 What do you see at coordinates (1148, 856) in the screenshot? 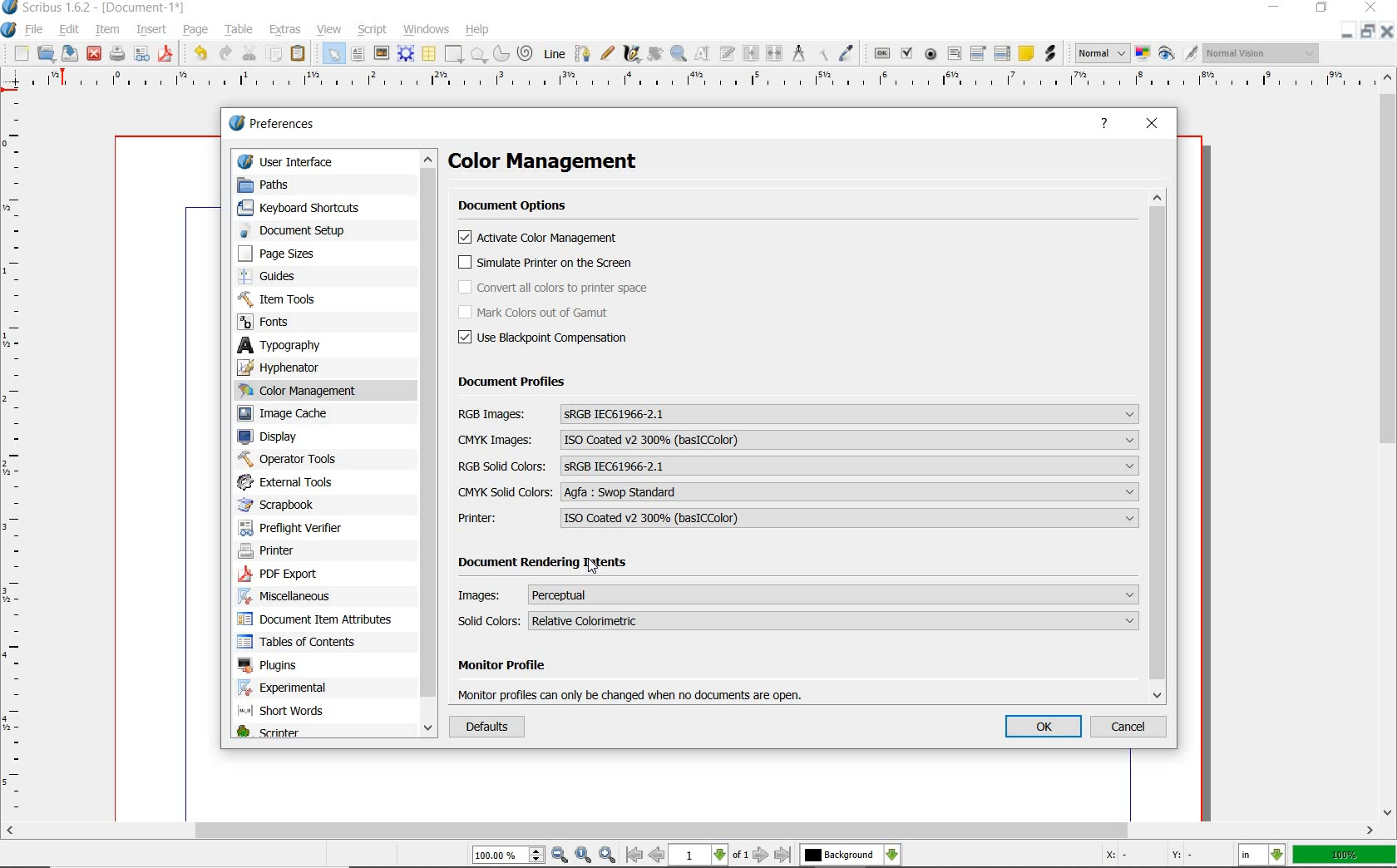
I see `coordinates` at bounding box center [1148, 856].